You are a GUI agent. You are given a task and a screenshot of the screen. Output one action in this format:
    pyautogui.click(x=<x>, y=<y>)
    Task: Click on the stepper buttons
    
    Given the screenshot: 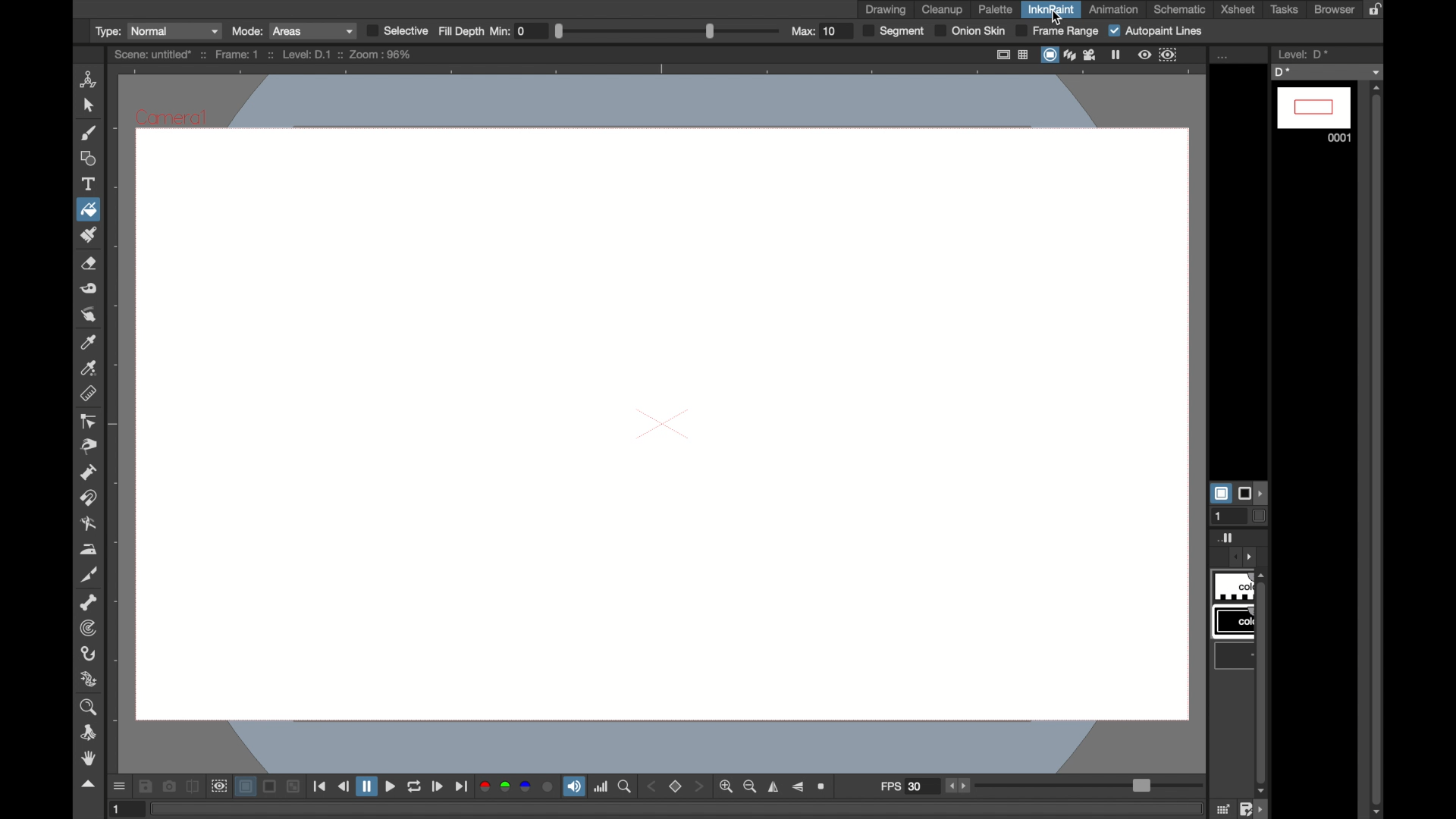 What is the action you would take?
    pyautogui.click(x=961, y=786)
    